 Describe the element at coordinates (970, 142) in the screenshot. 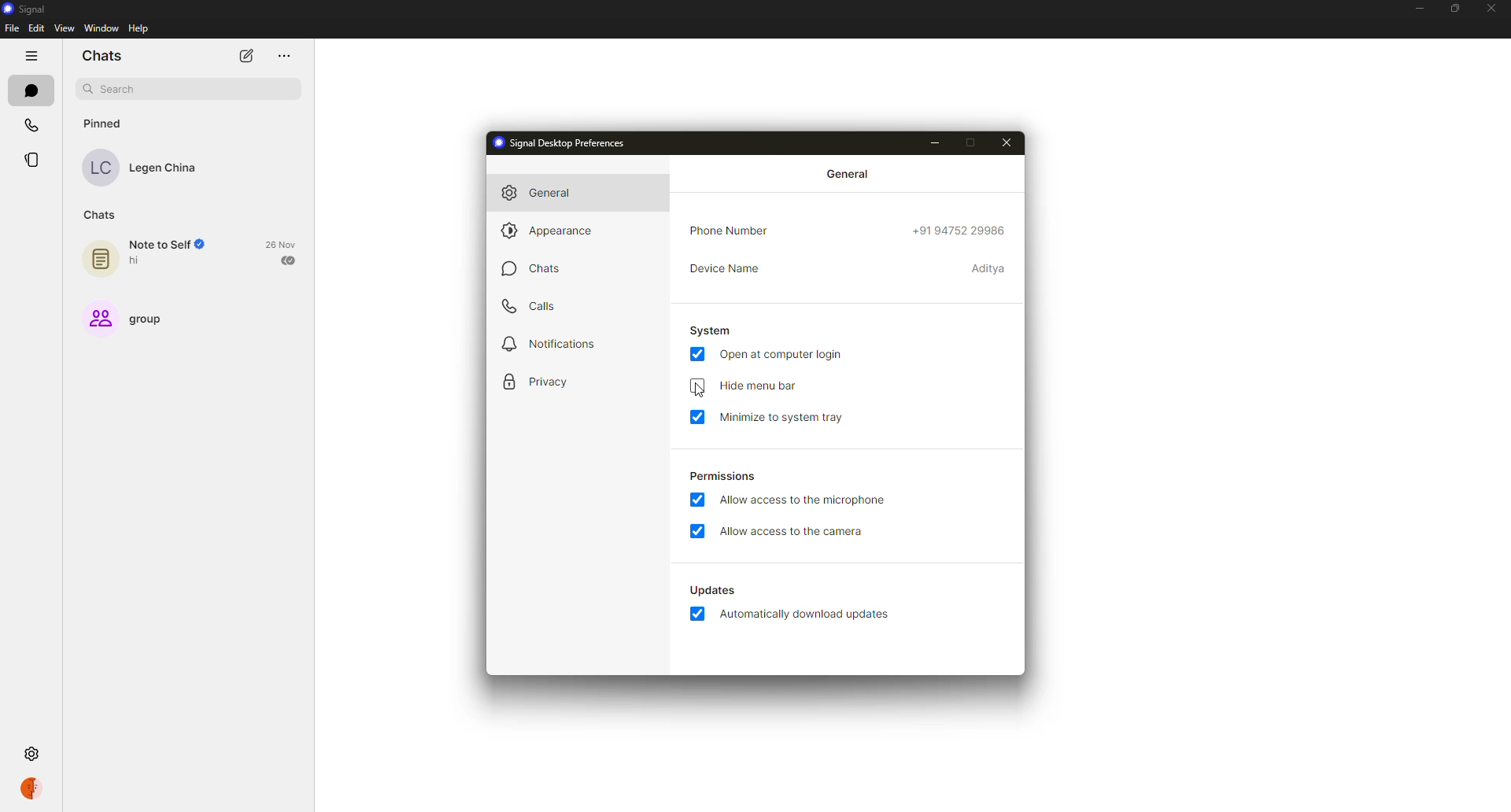

I see `maximize` at that location.